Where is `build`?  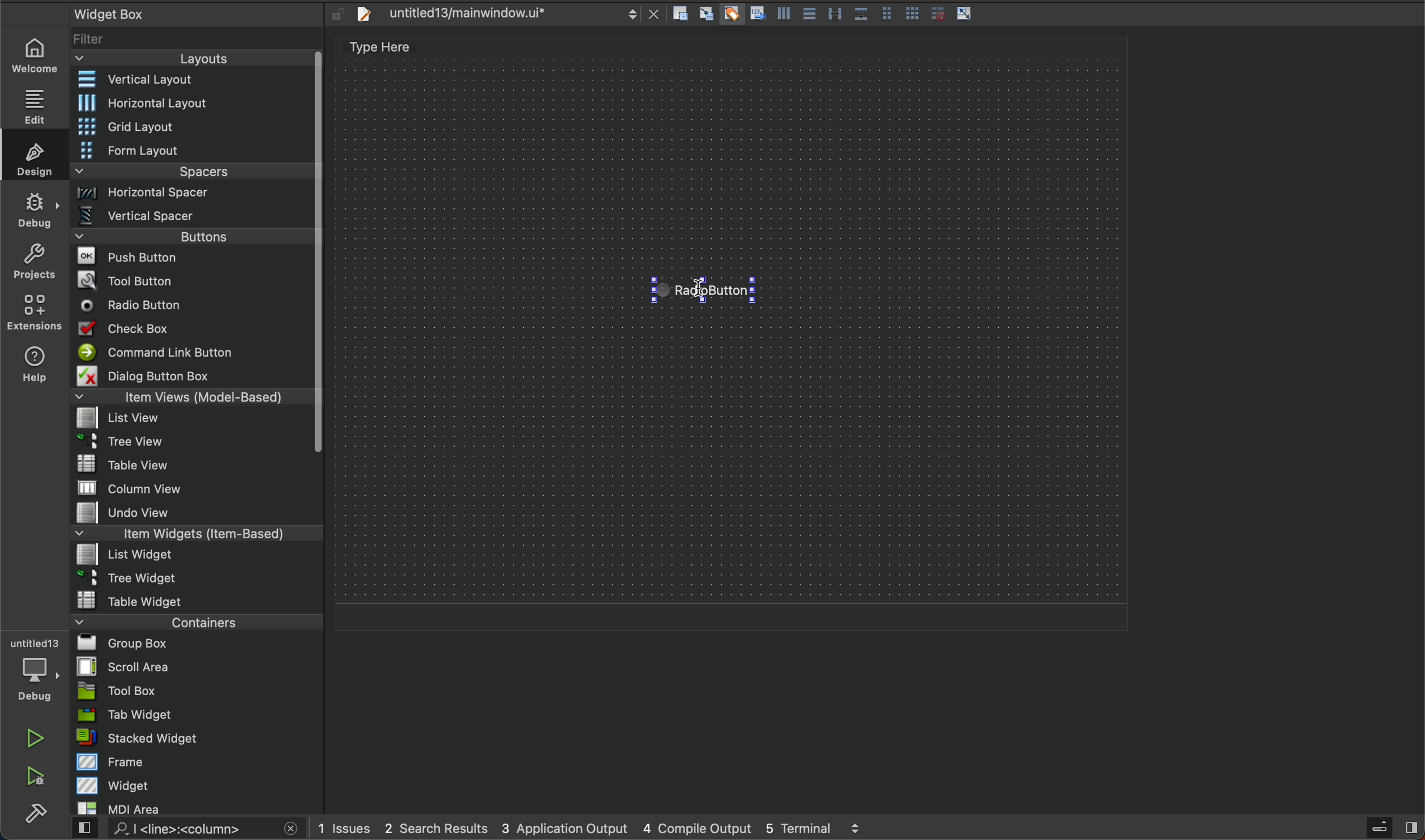
build is located at coordinates (36, 815).